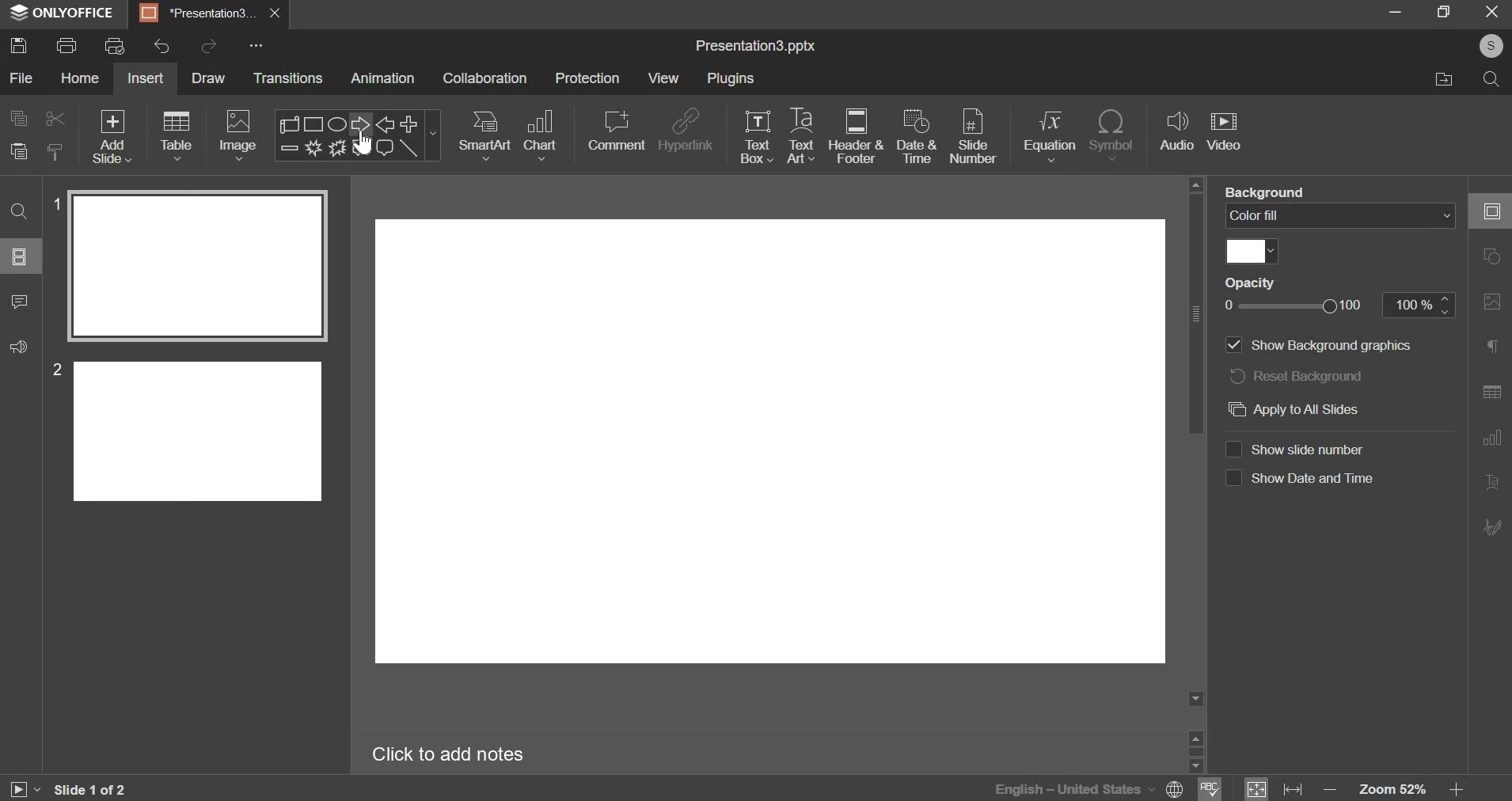 The width and height of the screenshot is (1512, 801). What do you see at coordinates (145, 78) in the screenshot?
I see `insert` at bounding box center [145, 78].